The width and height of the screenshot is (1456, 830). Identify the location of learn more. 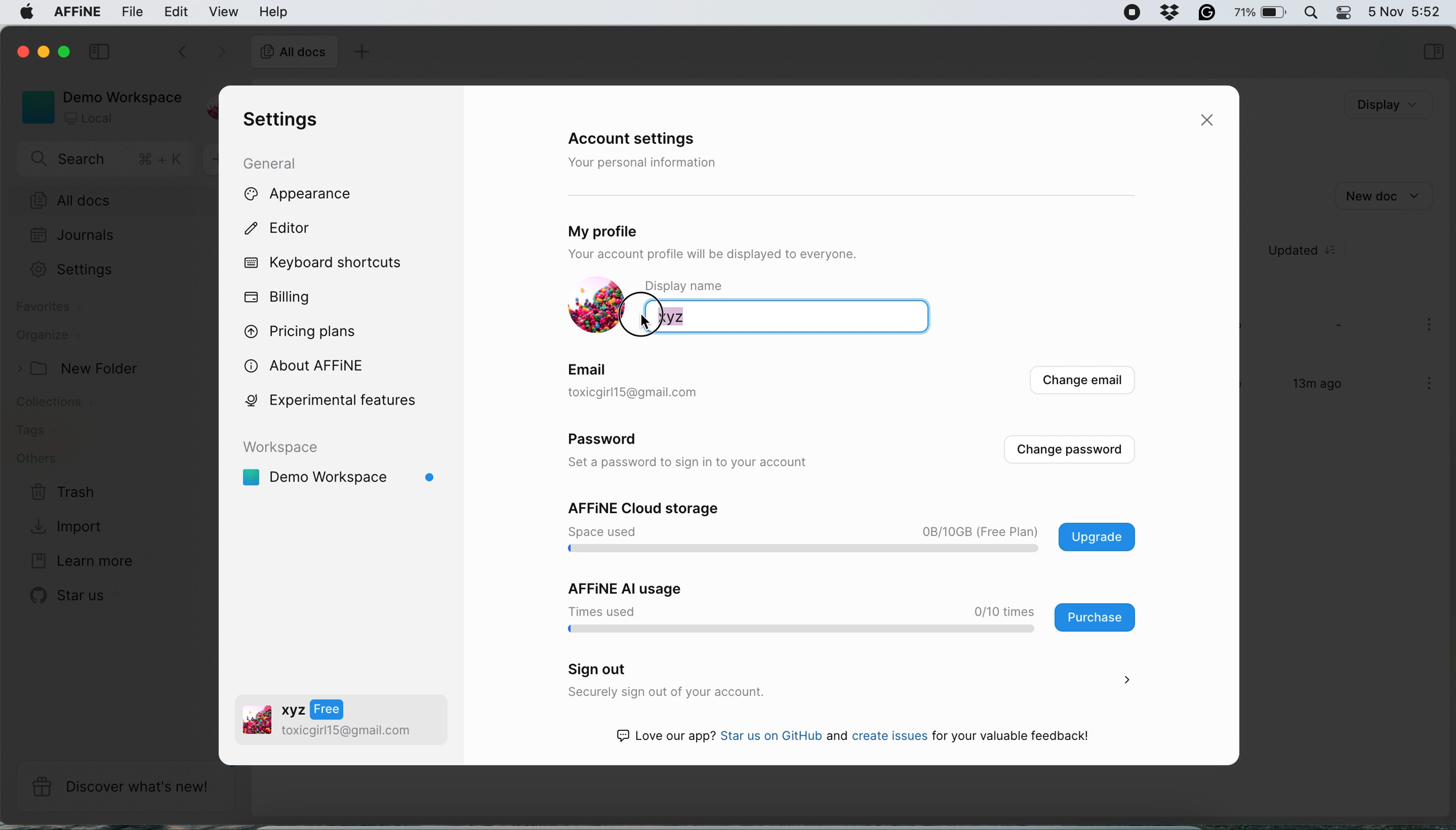
(79, 562).